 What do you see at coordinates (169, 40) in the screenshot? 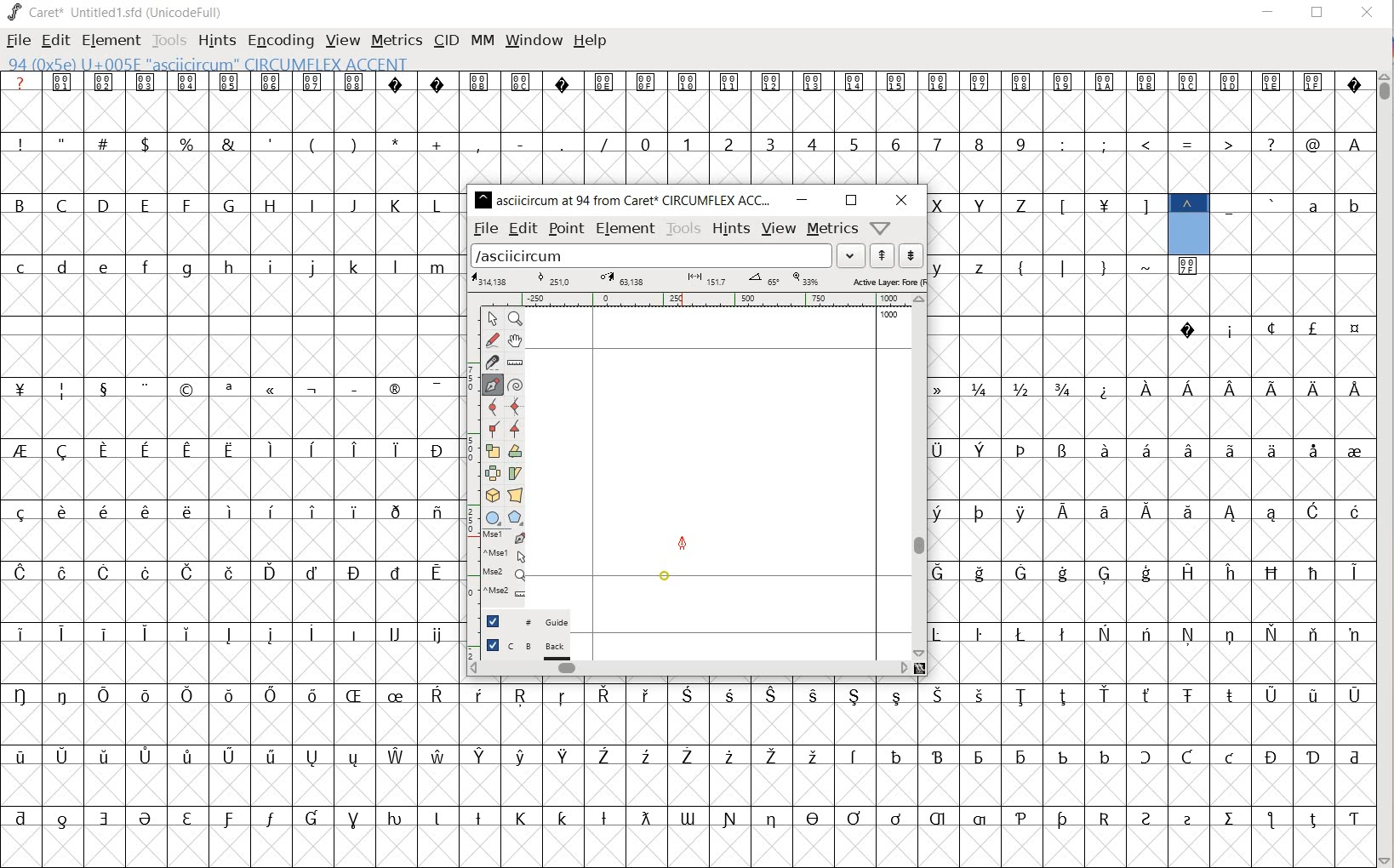
I see `TOOLS` at bounding box center [169, 40].